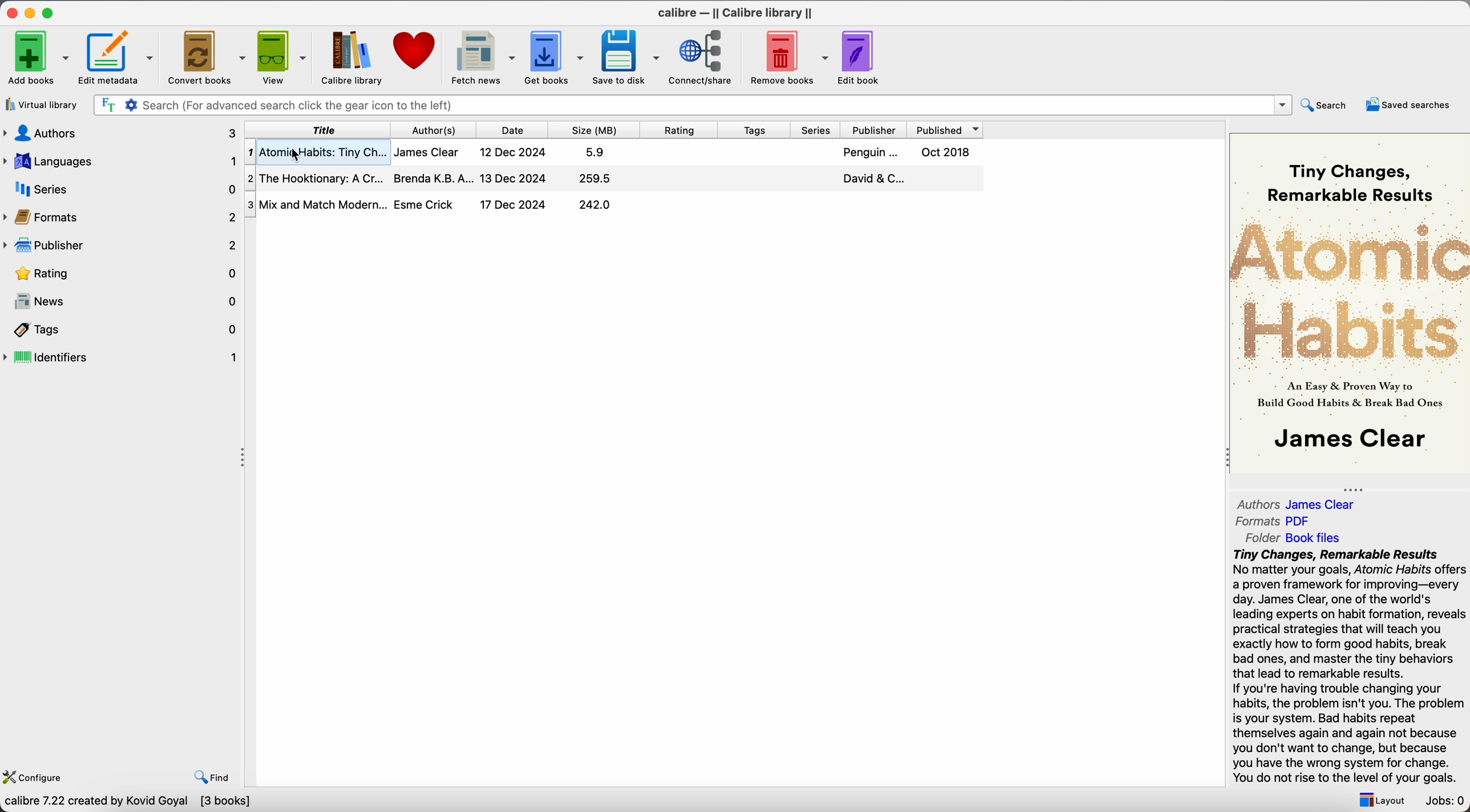  Describe the element at coordinates (512, 130) in the screenshot. I see `date` at that location.